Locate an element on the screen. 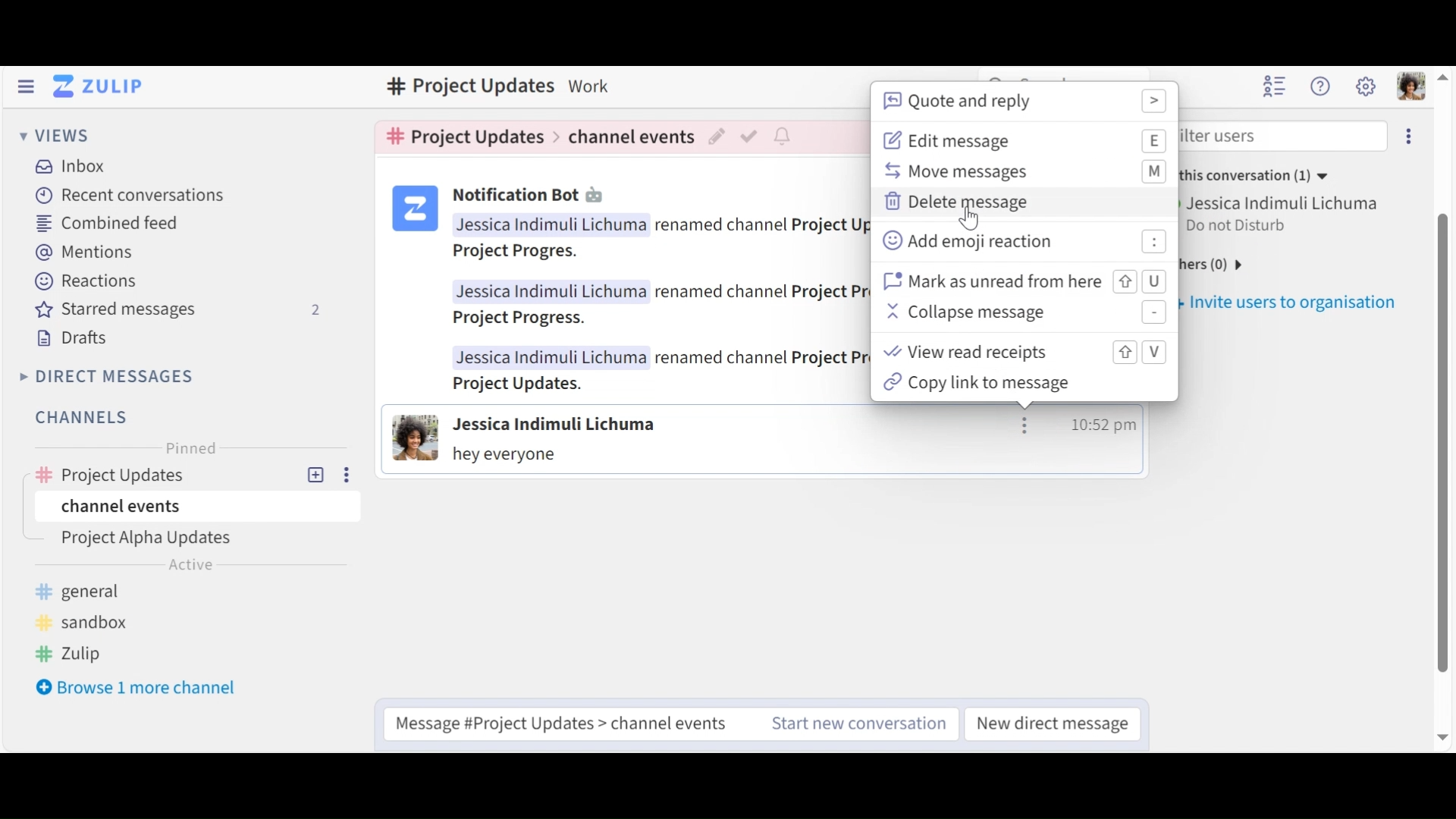  Channel topic is located at coordinates (463, 87).